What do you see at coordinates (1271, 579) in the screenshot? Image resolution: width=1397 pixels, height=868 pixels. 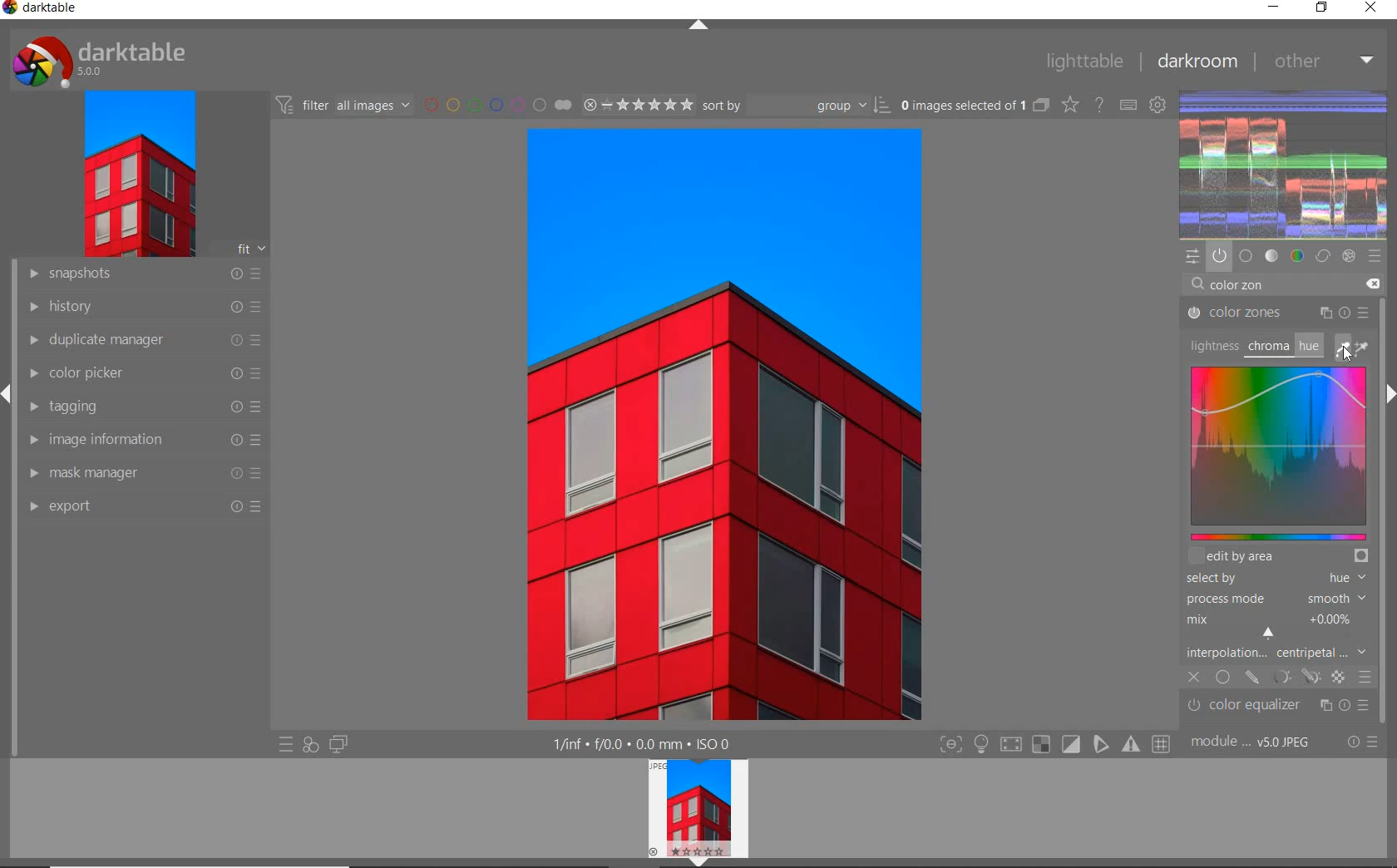 I see `SELECTED BY` at bounding box center [1271, 579].